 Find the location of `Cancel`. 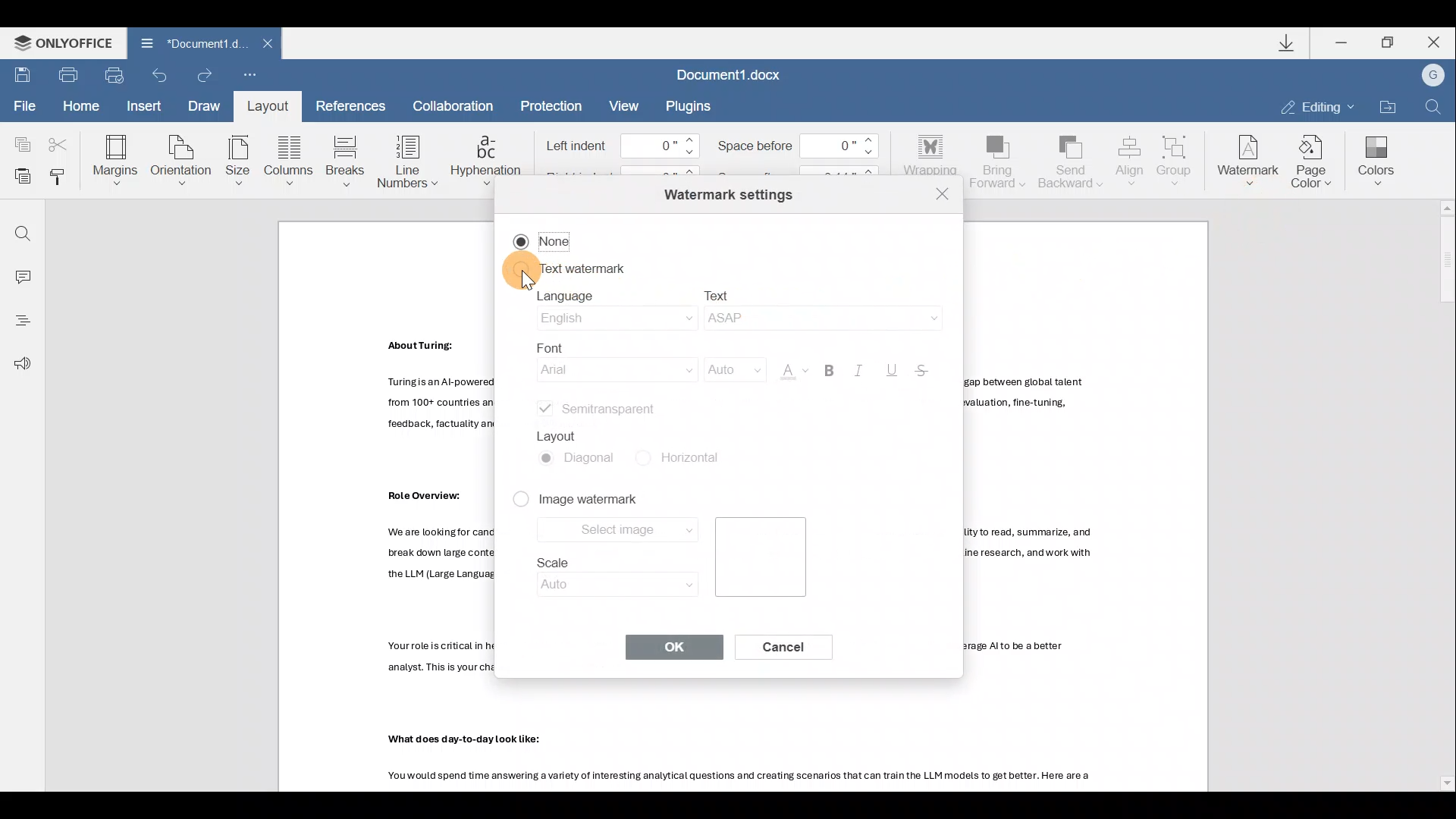

Cancel is located at coordinates (795, 651).